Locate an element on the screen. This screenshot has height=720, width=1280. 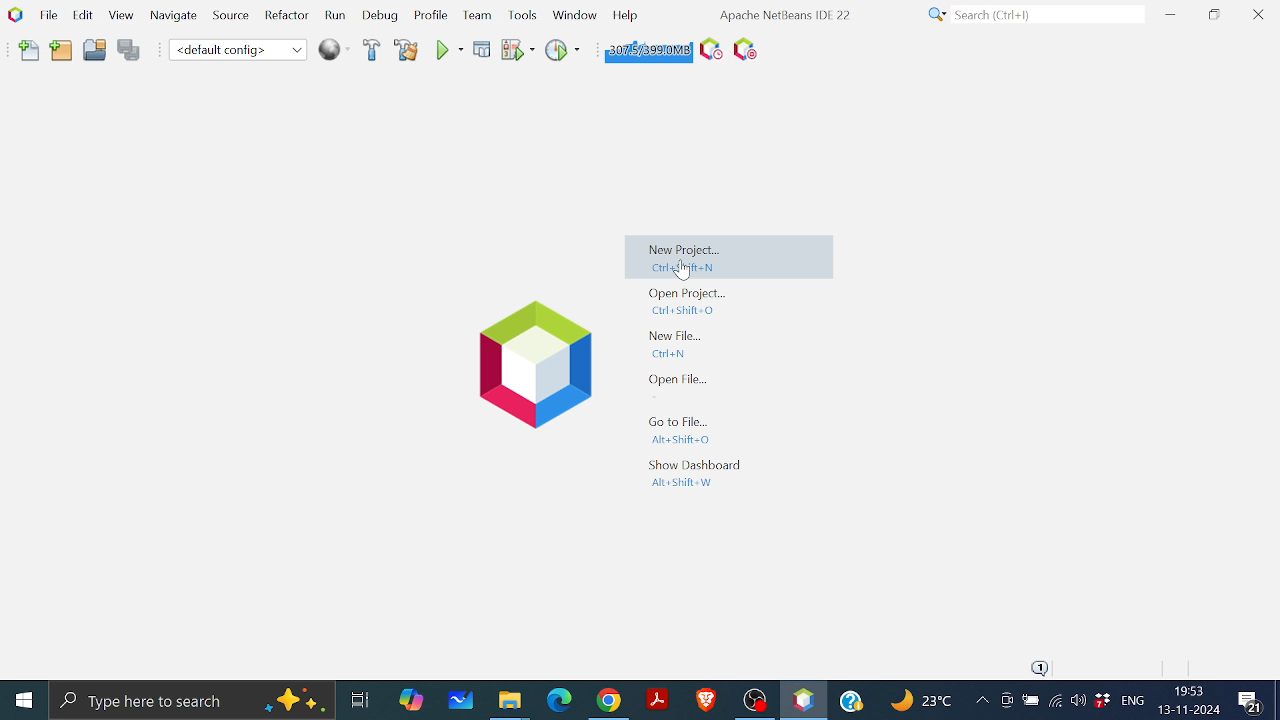
Run is located at coordinates (334, 16).